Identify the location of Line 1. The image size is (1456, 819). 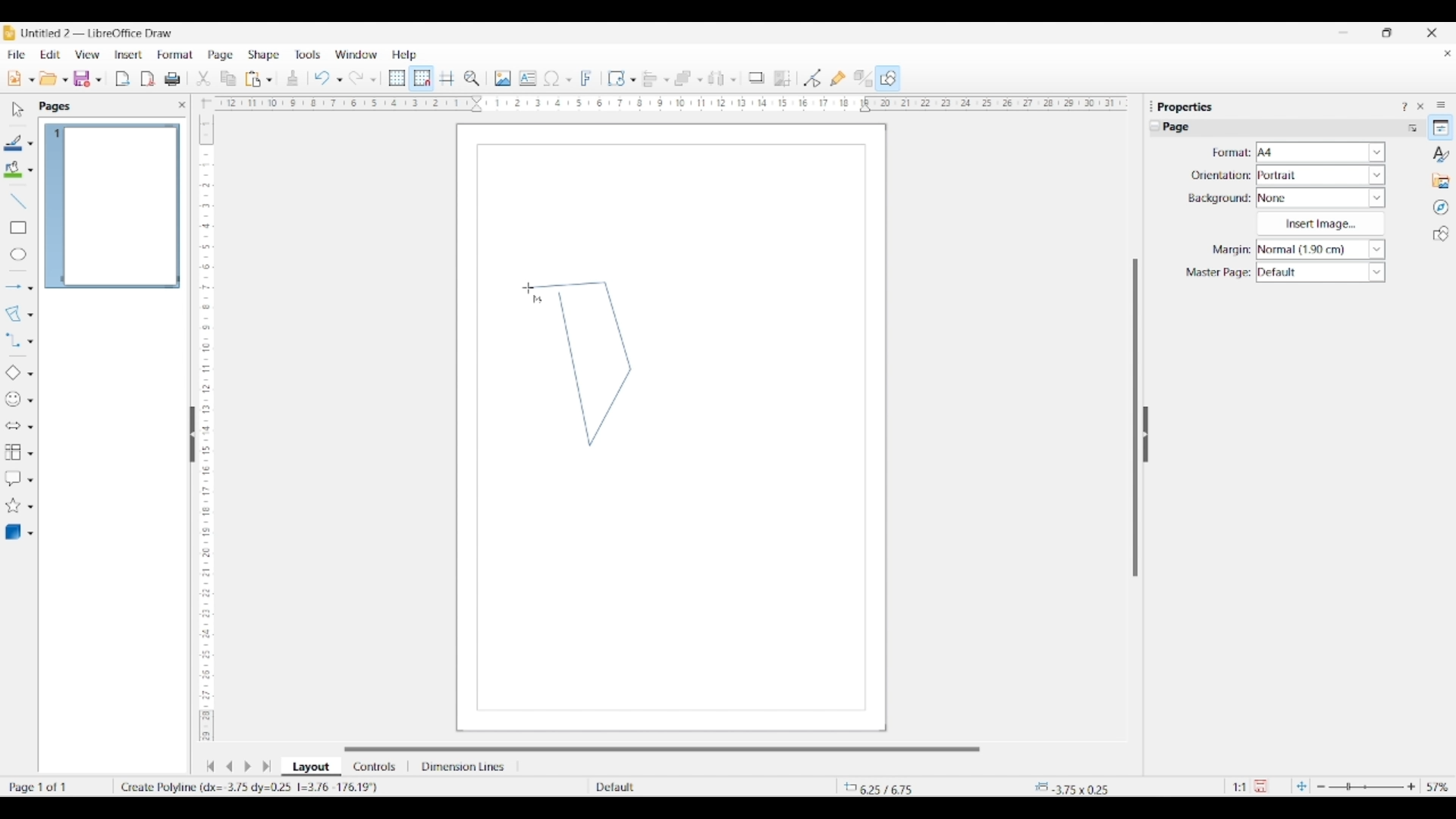
(574, 369).